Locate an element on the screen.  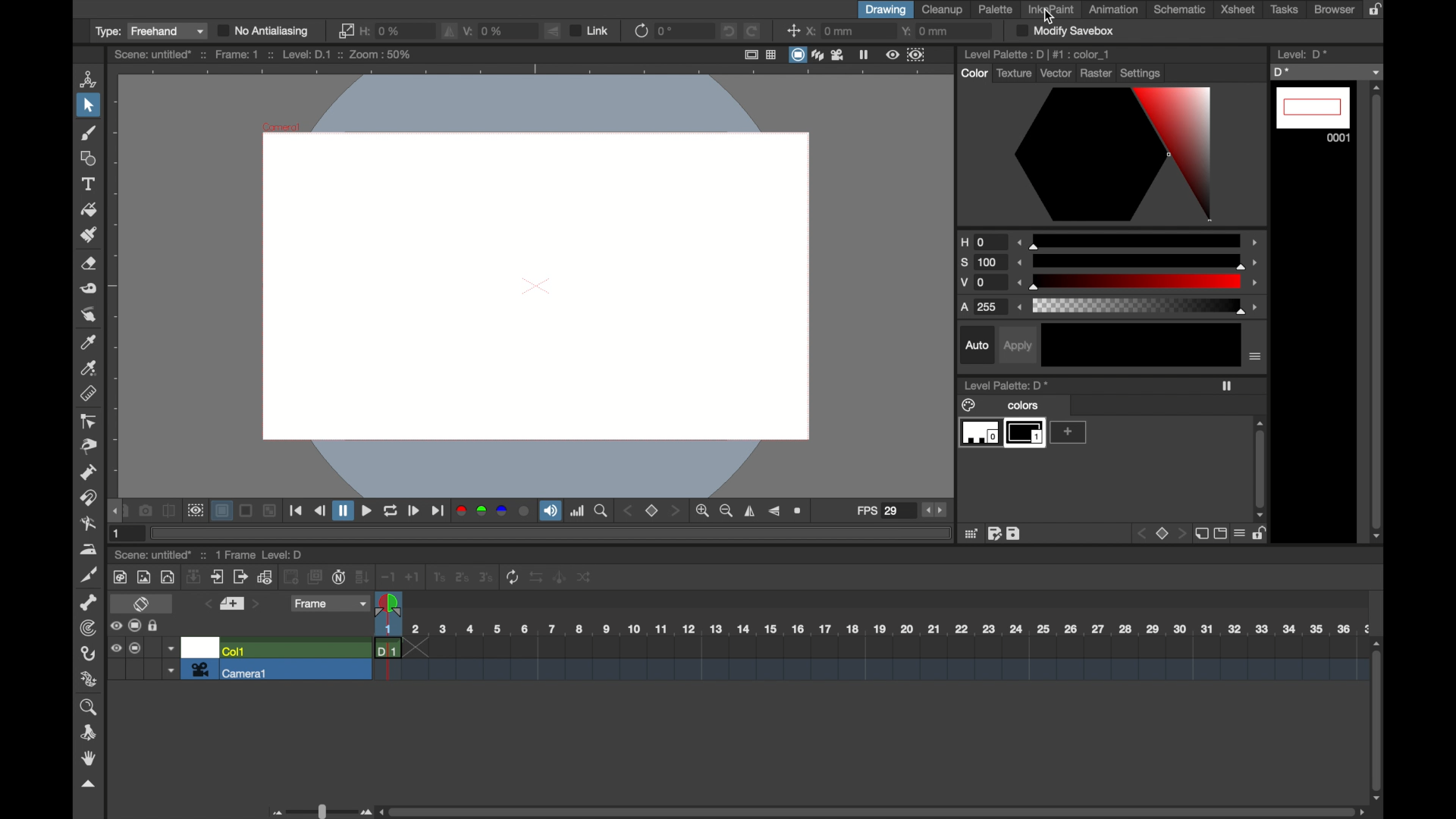
xsheet is located at coordinates (1238, 9).